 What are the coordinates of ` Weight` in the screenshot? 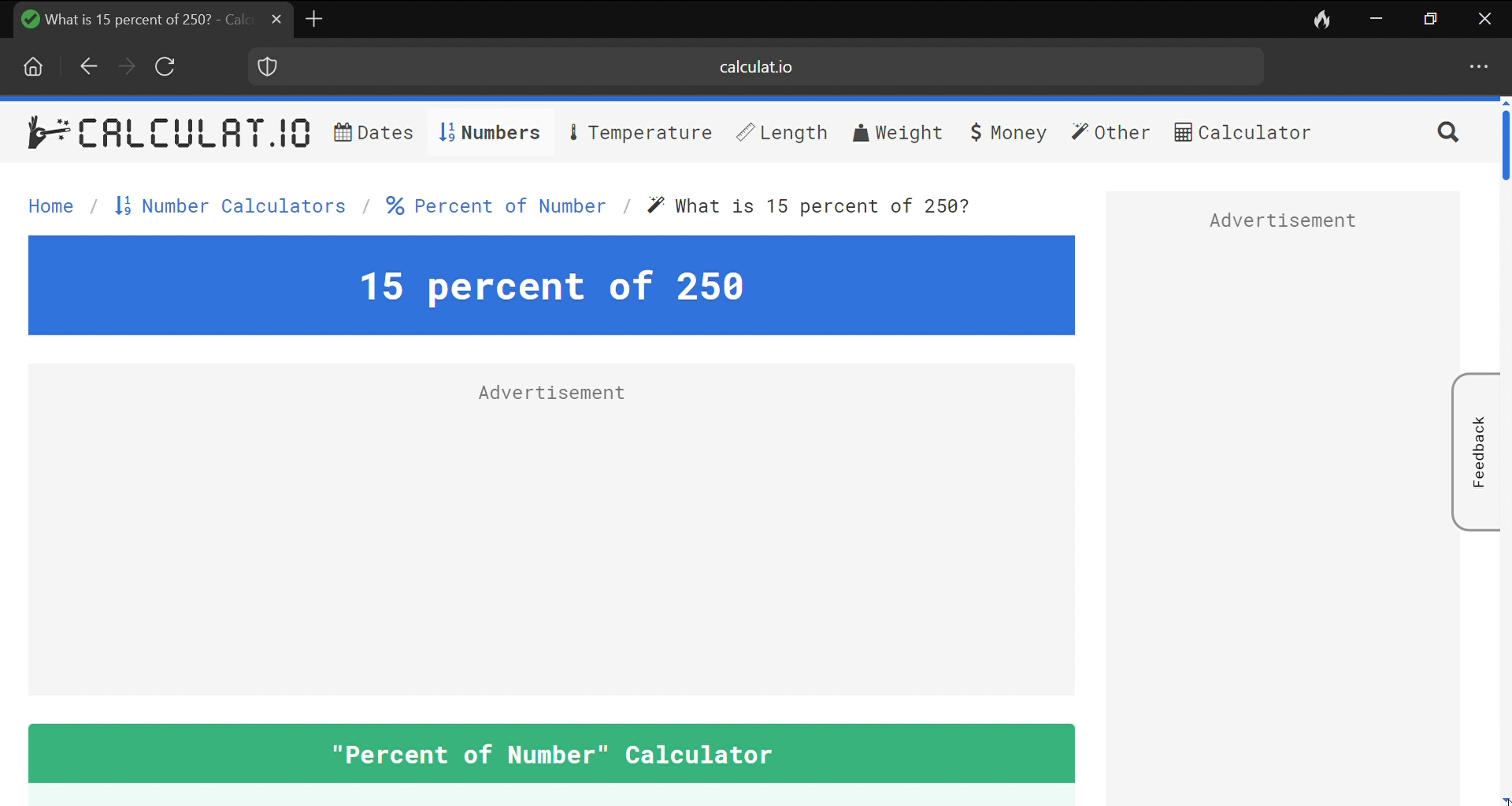 It's located at (899, 132).